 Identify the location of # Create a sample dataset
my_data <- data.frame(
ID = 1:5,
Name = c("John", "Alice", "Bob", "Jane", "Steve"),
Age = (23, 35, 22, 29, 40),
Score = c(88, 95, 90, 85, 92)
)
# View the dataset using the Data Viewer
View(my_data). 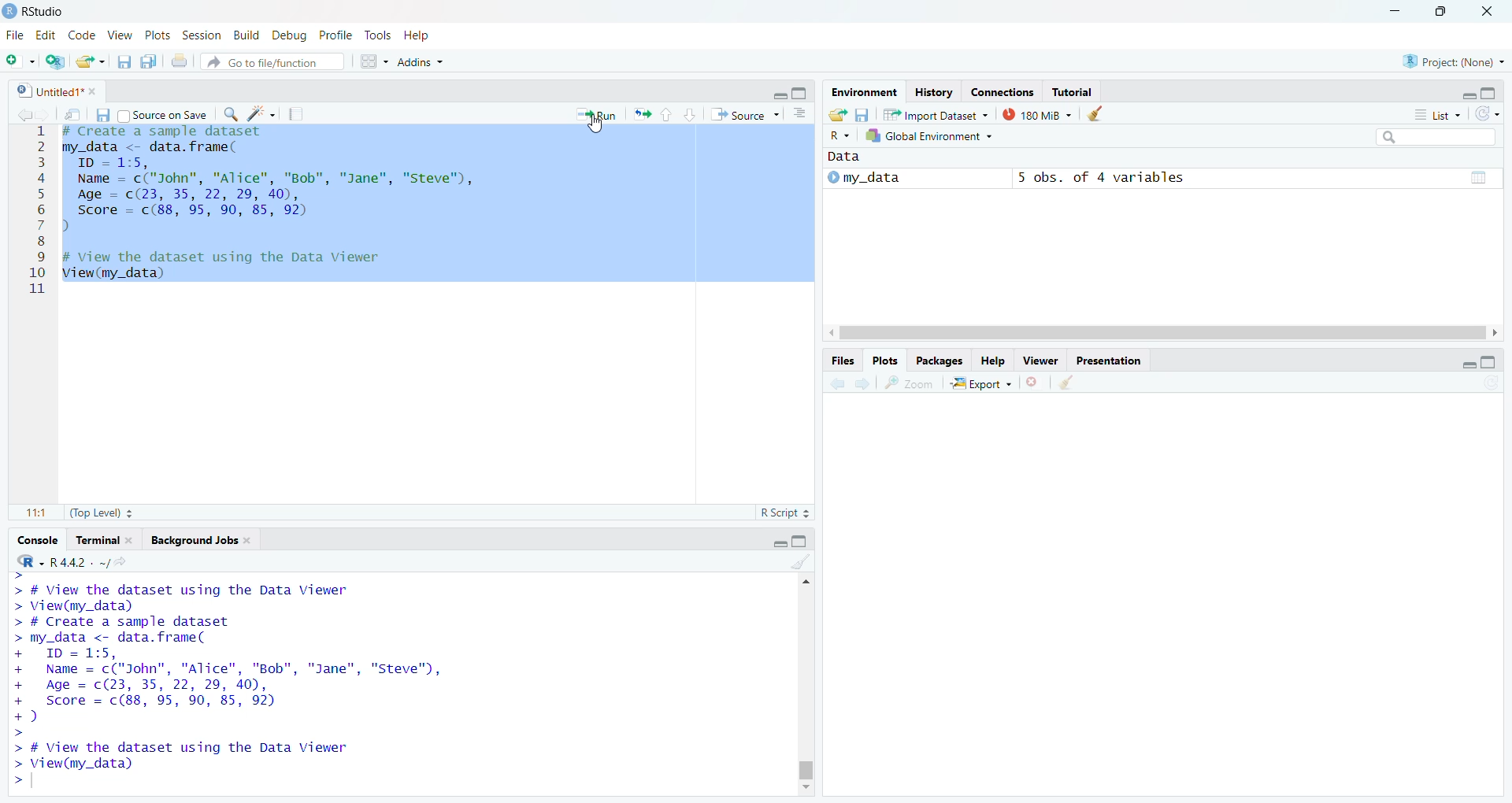
(435, 204).